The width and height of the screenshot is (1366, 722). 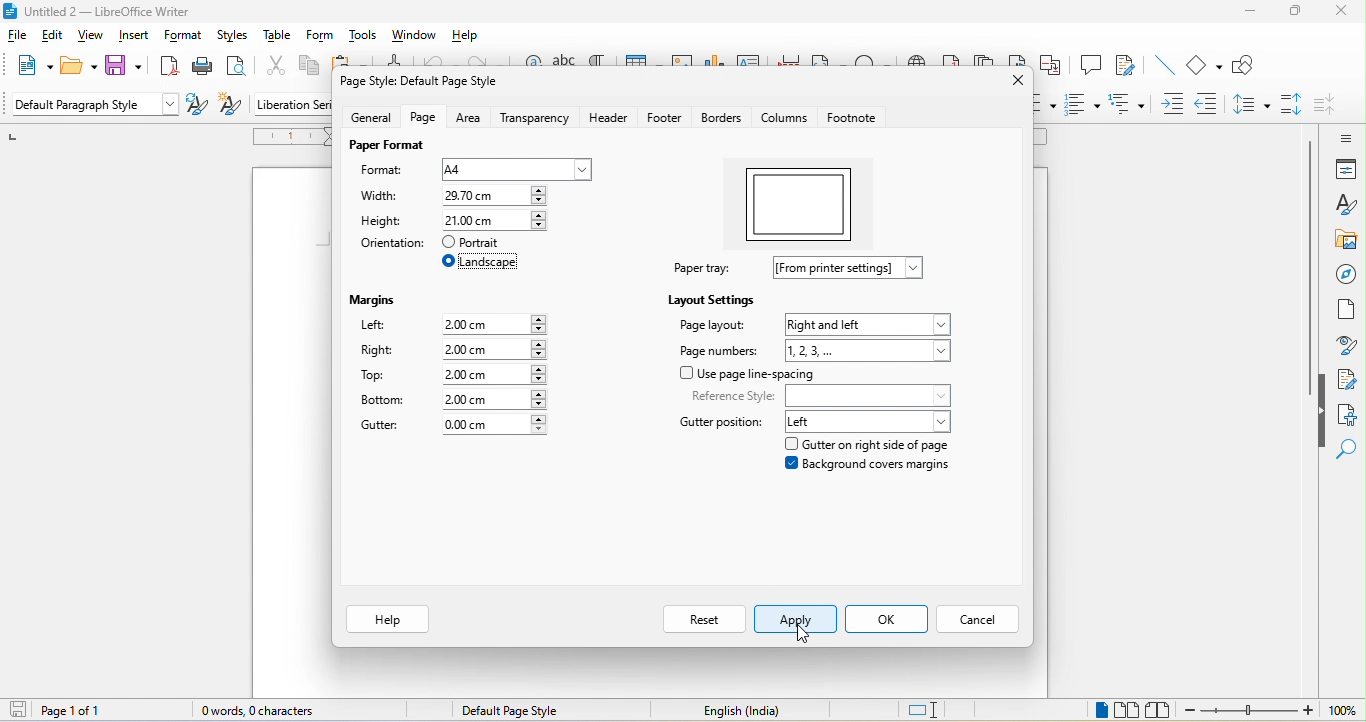 What do you see at coordinates (1348, 380) in the screenshot?
I see `manage changes` at bounding box center [1348, 380].